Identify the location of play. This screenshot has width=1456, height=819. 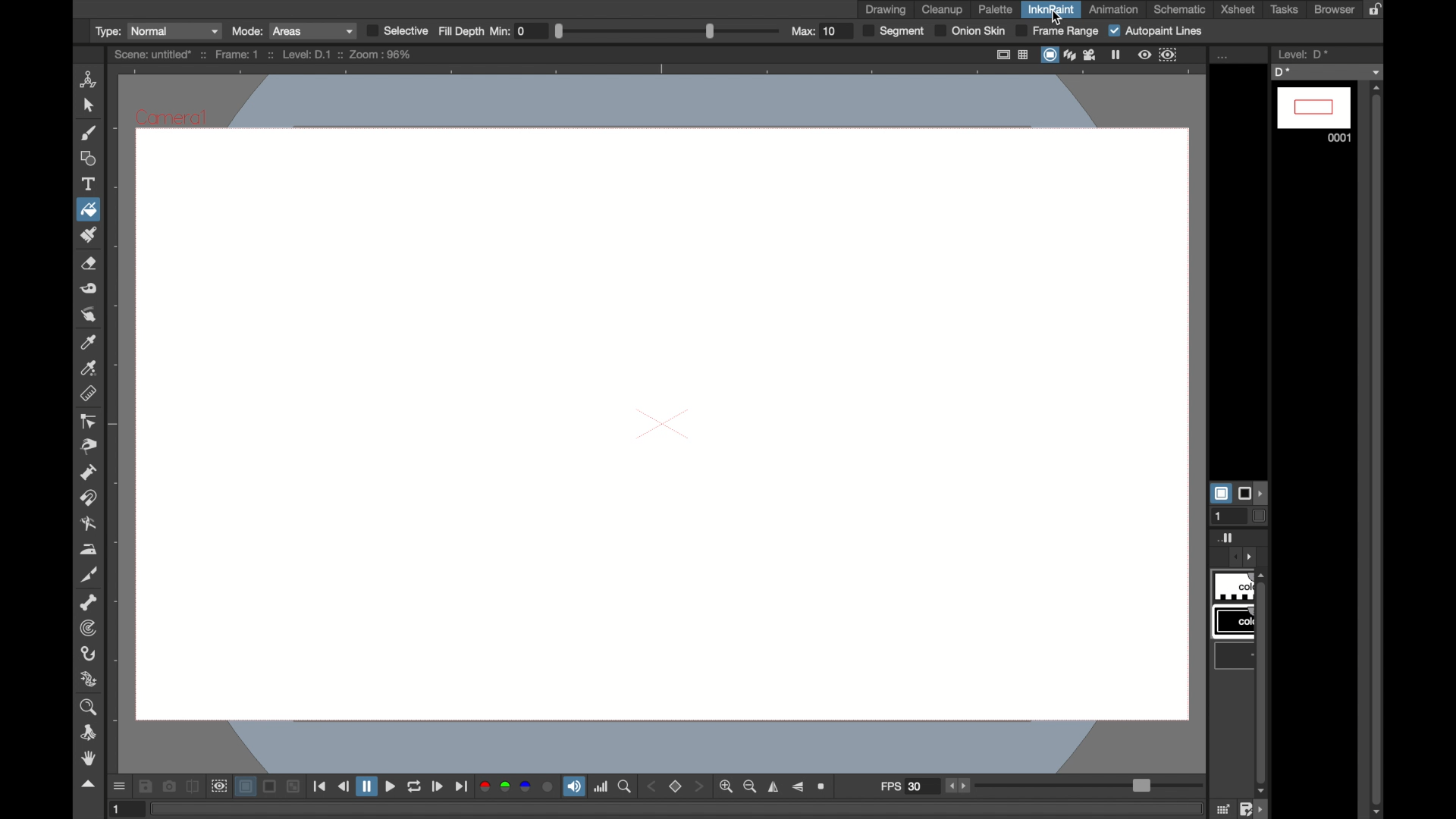
(438, 787).